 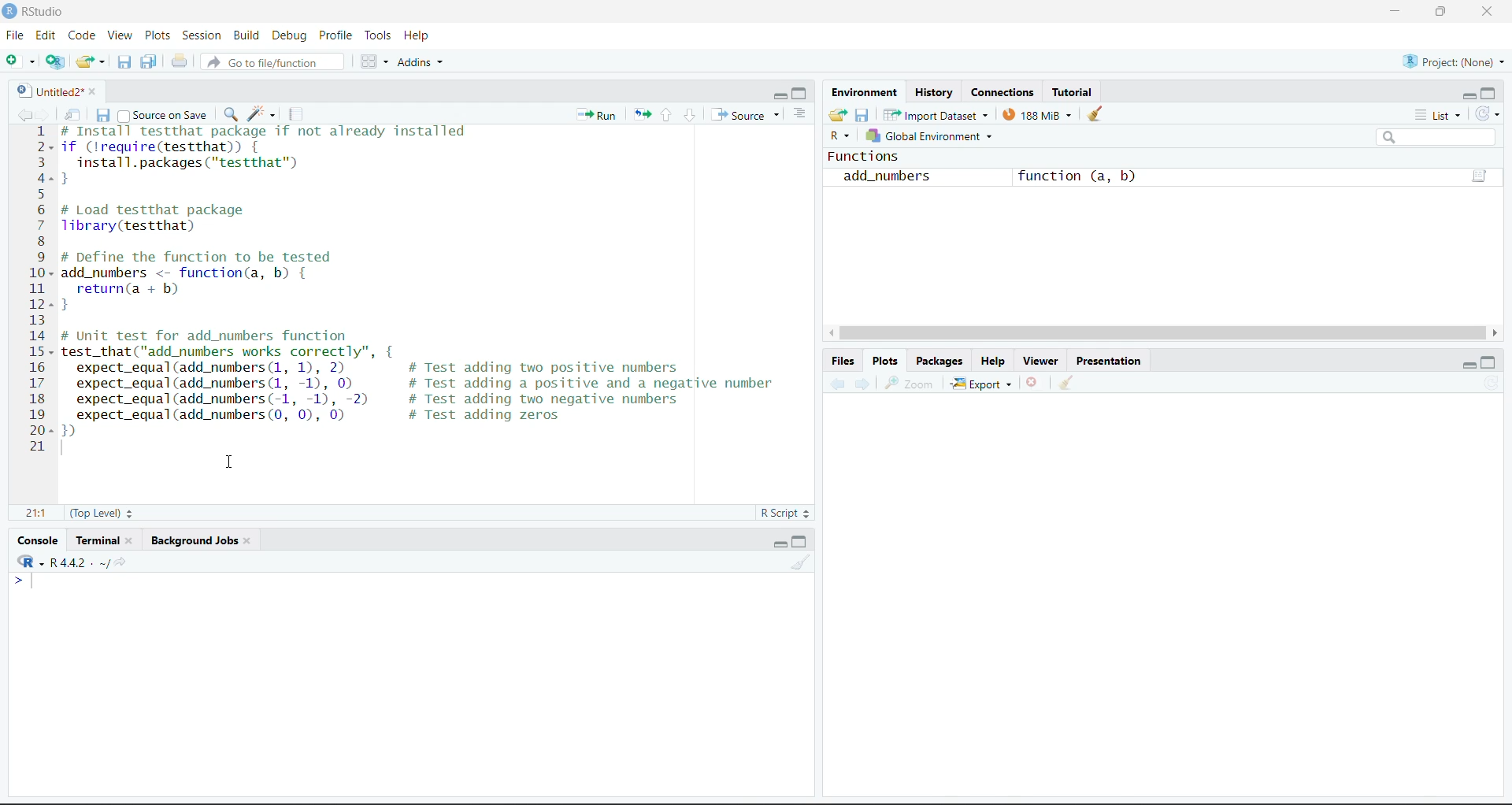 I want to click on Tutorial, so click(x=1071, y=91).